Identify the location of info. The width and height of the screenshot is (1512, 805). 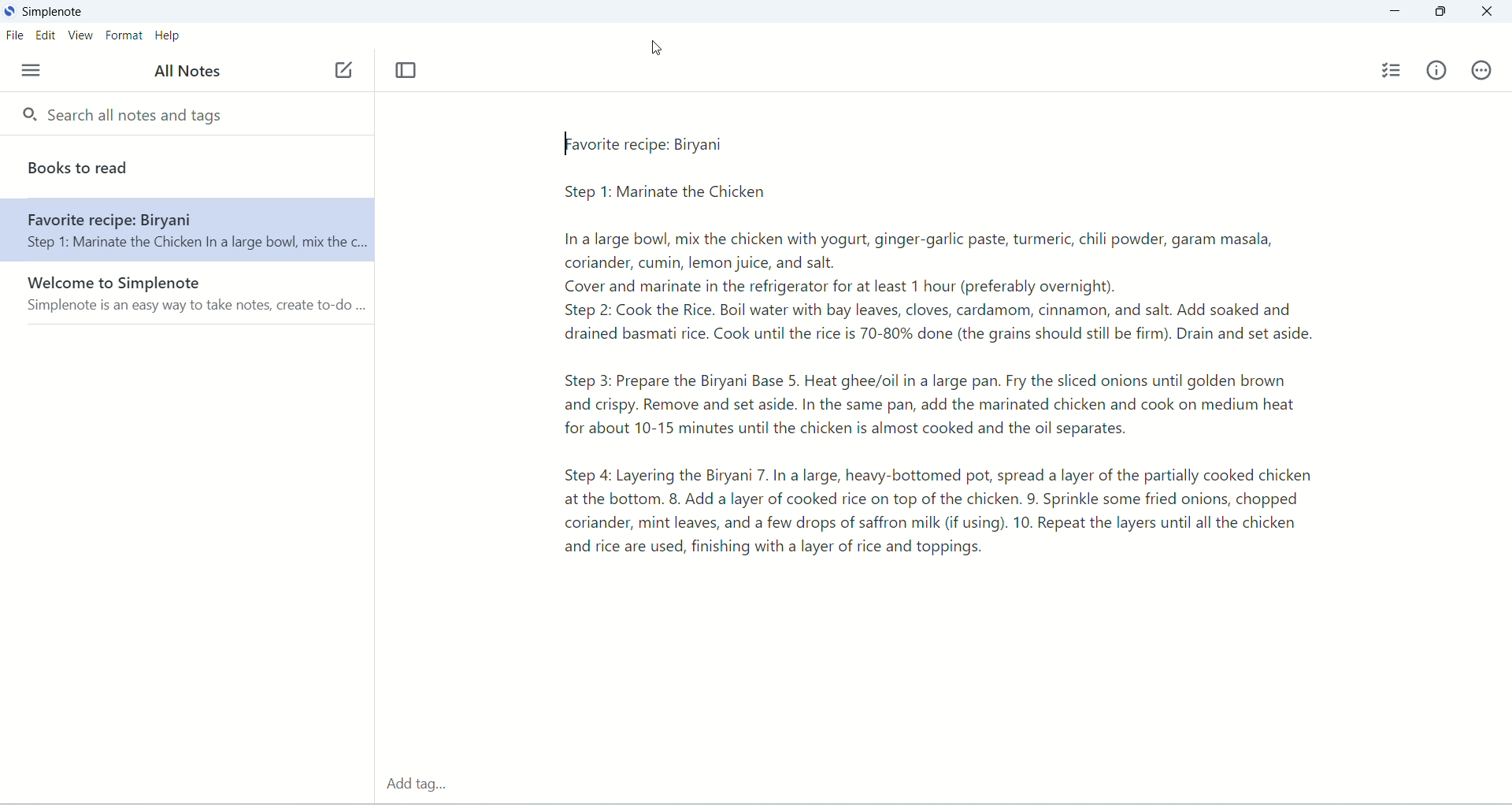
(1437, 69).